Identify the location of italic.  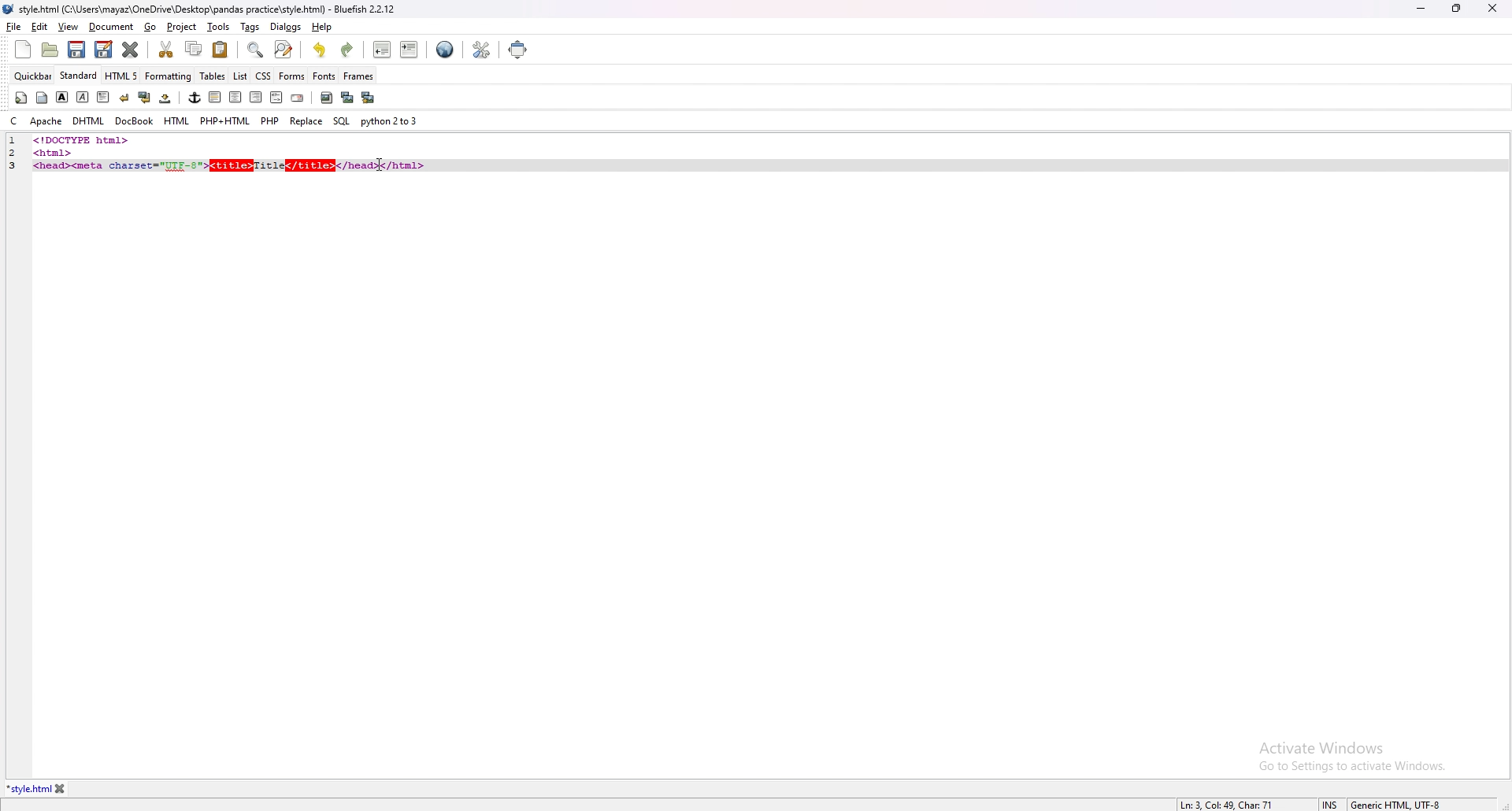
(83, 96).